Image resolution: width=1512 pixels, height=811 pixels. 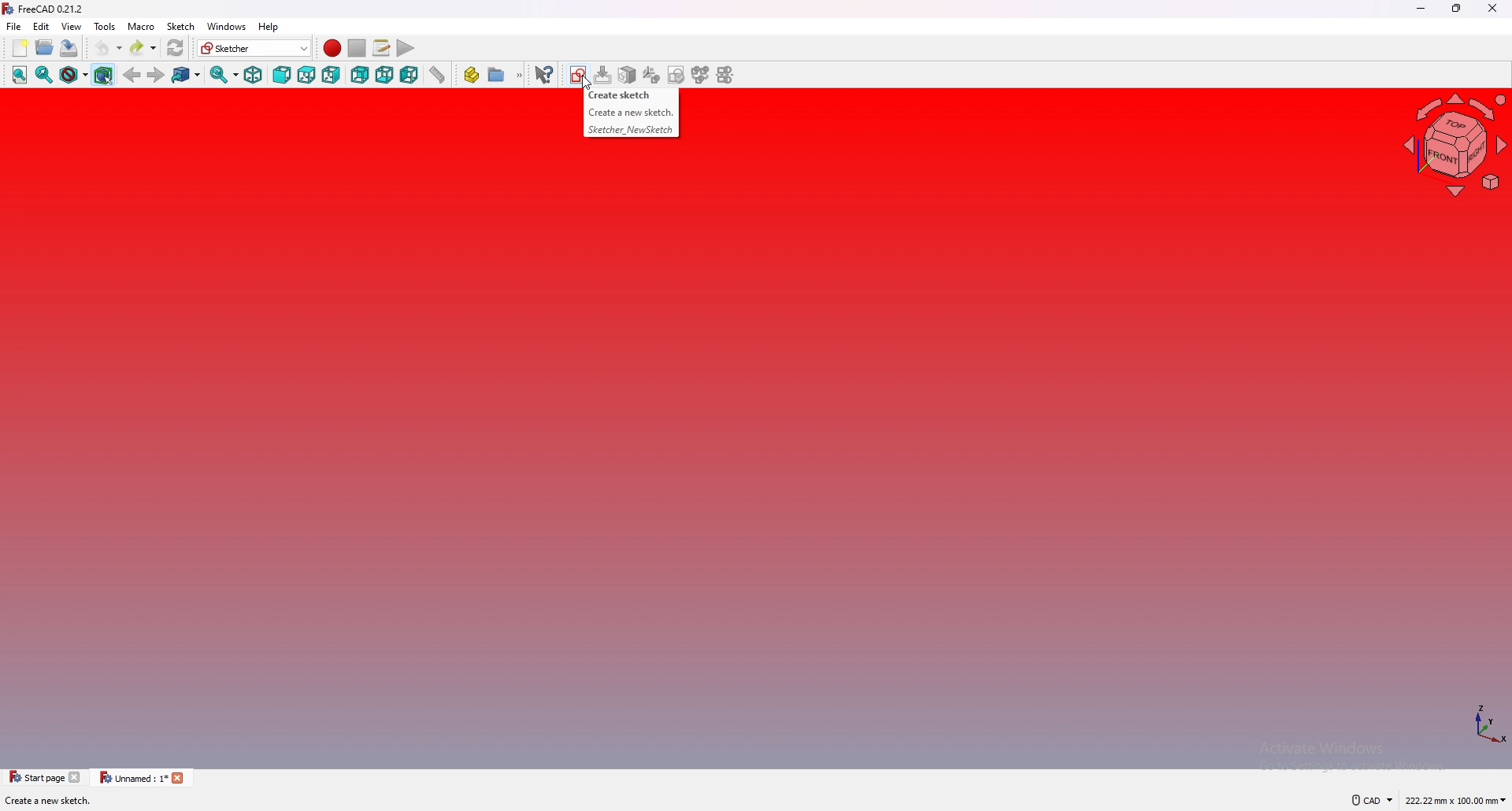 I want to click on undo, so click(x=109, y=47).